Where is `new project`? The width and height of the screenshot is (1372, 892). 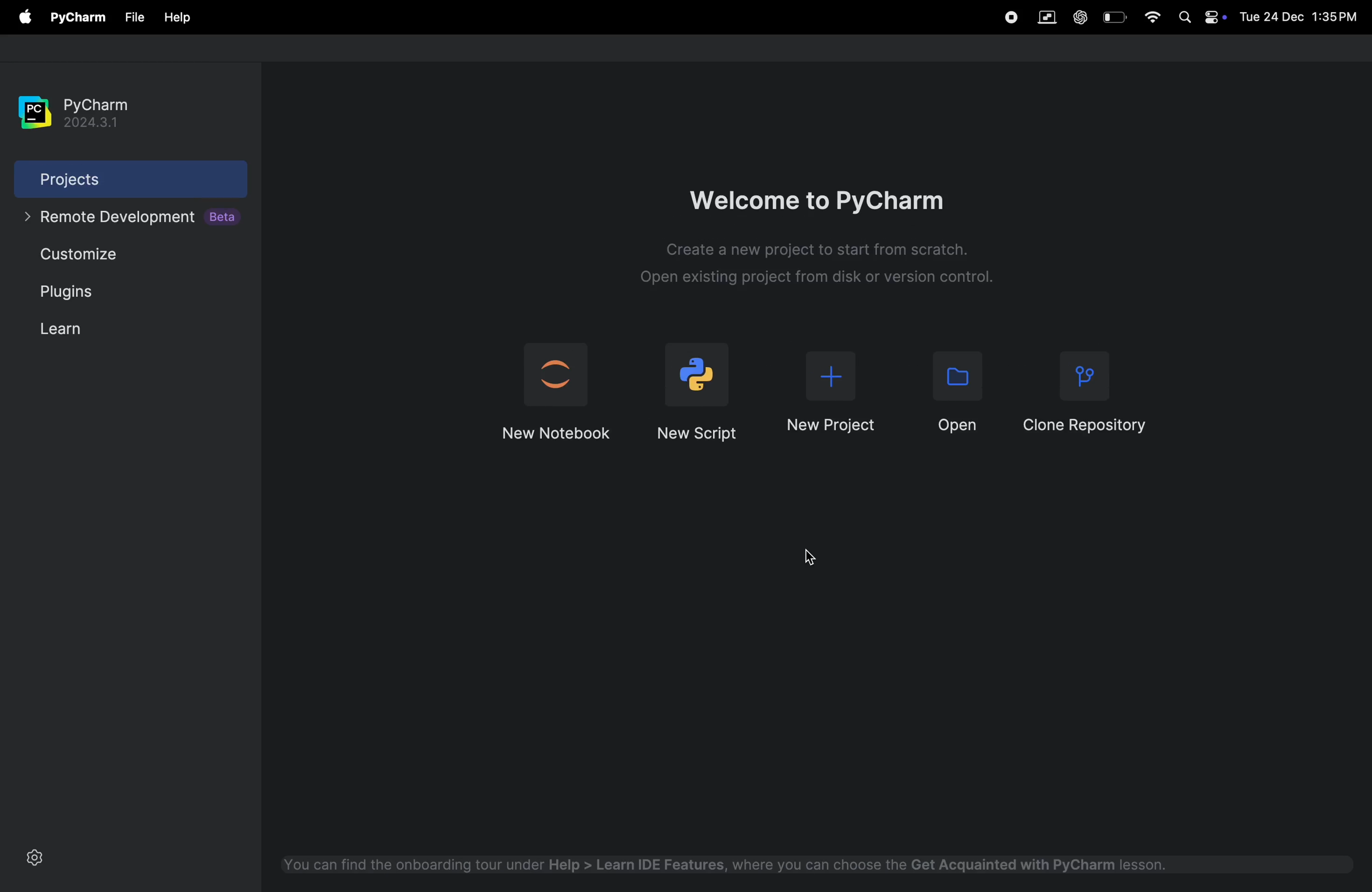
new project is located at coordinates (830, 396).